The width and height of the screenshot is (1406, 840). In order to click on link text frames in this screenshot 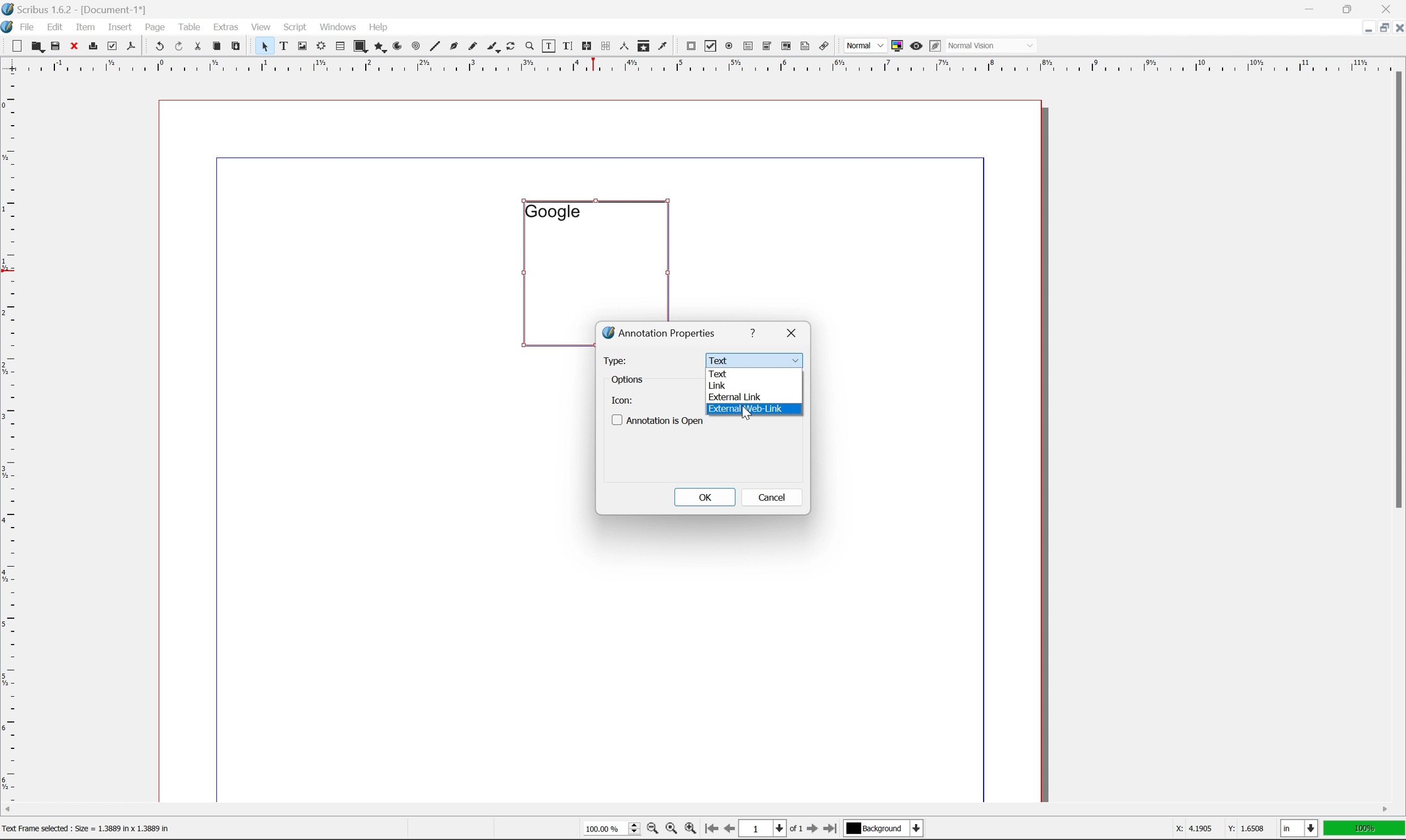, I will do `click(585, 46)`.